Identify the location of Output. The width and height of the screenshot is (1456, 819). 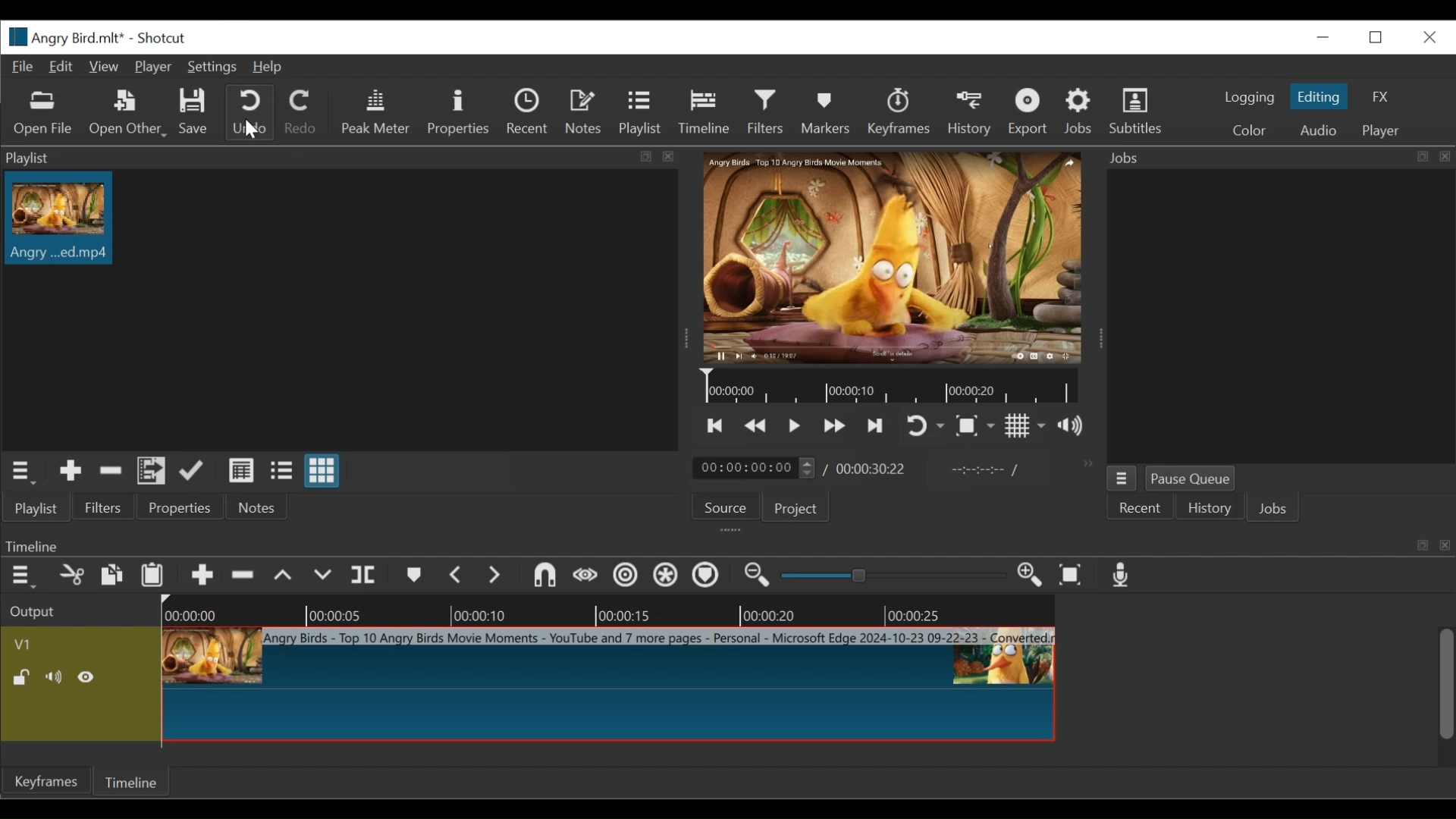
(36, 612).